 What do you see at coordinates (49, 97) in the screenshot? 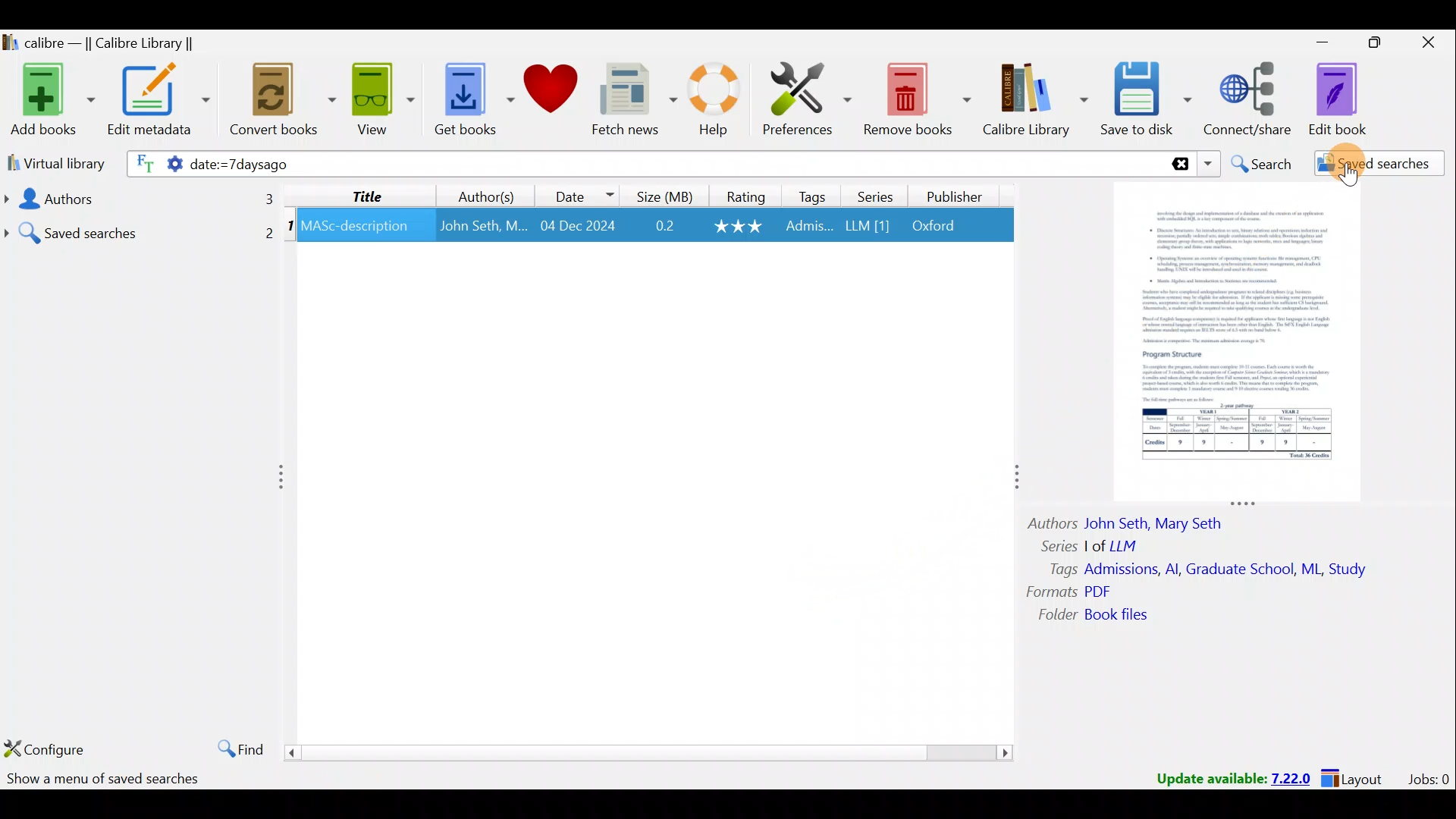
I see `Add books` at bounding box center [49, 97].